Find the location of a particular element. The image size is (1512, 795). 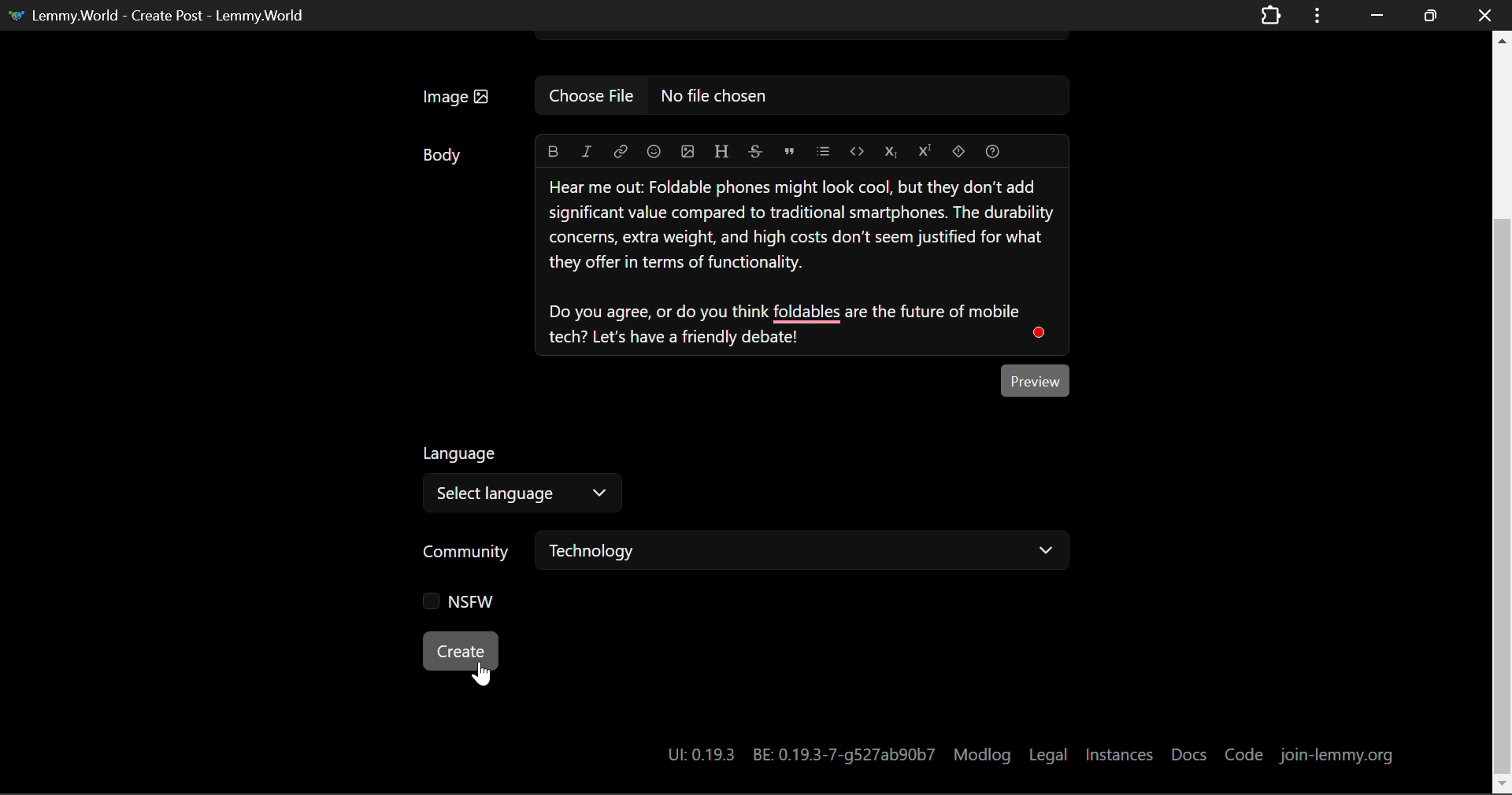

Insert Image Field is located at coordinates (750, 96).